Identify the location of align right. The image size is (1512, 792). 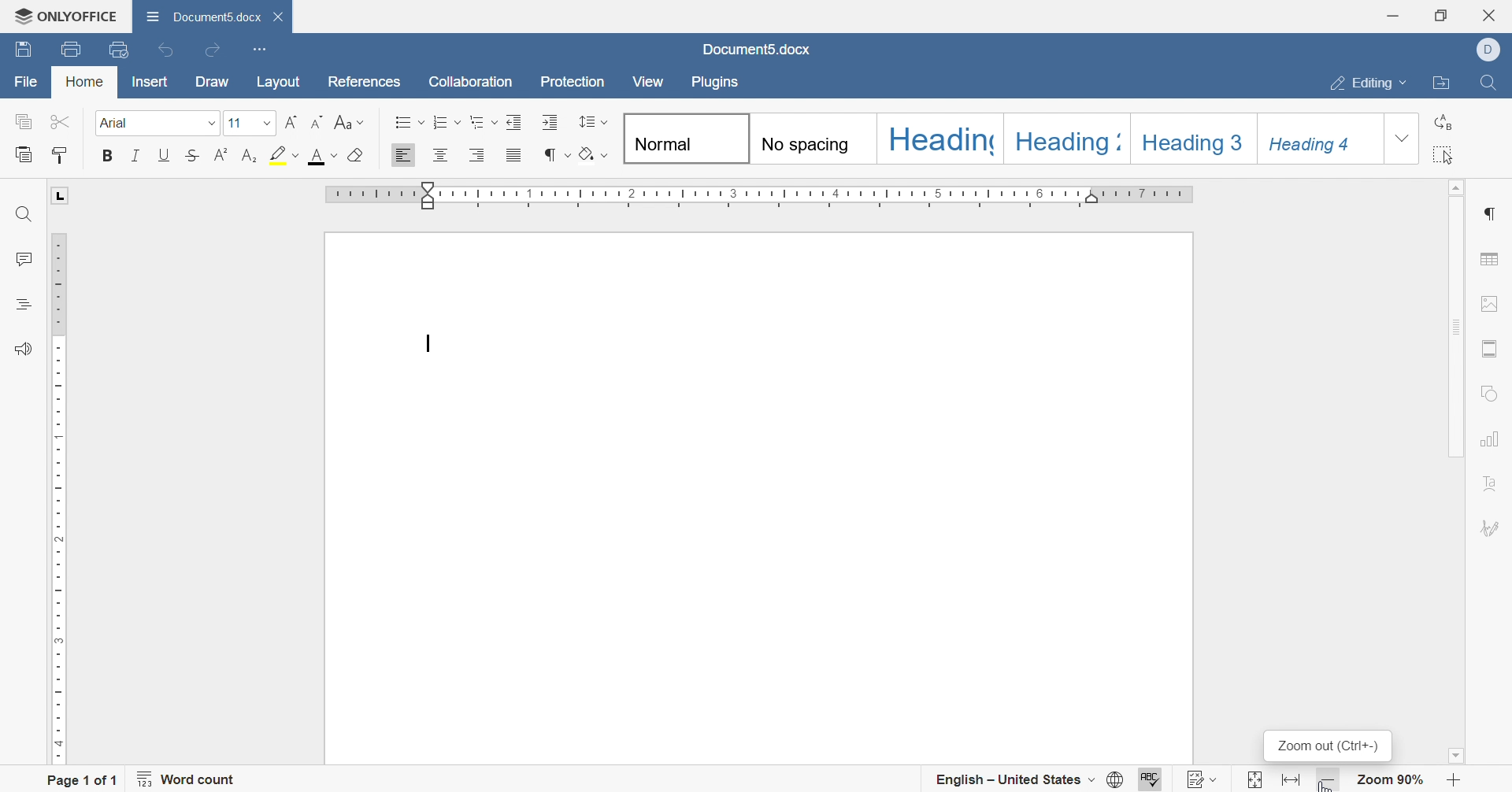
(478, 154).